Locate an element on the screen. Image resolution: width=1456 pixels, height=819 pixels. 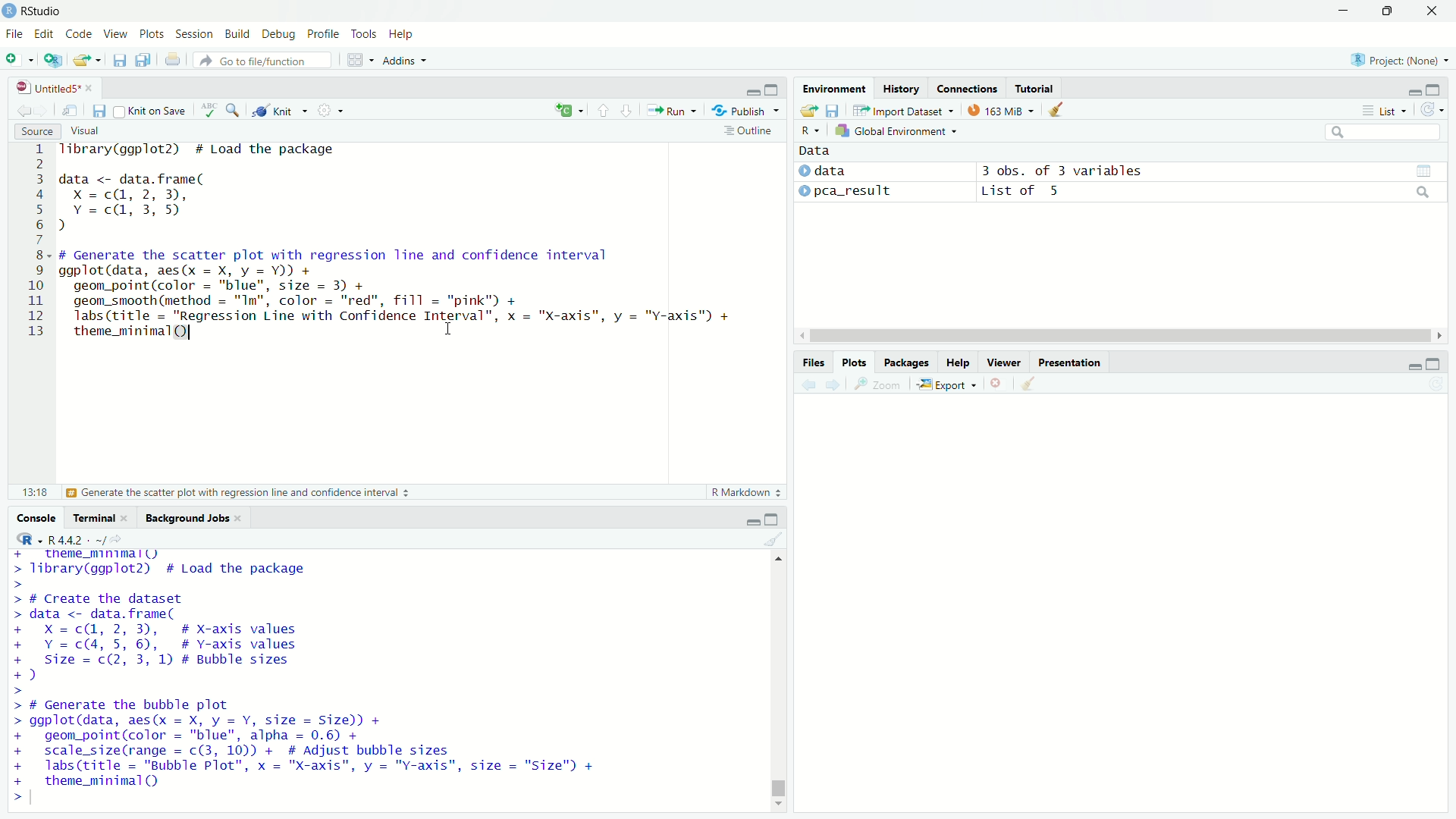
Tools is located at coordinates (364, 34).